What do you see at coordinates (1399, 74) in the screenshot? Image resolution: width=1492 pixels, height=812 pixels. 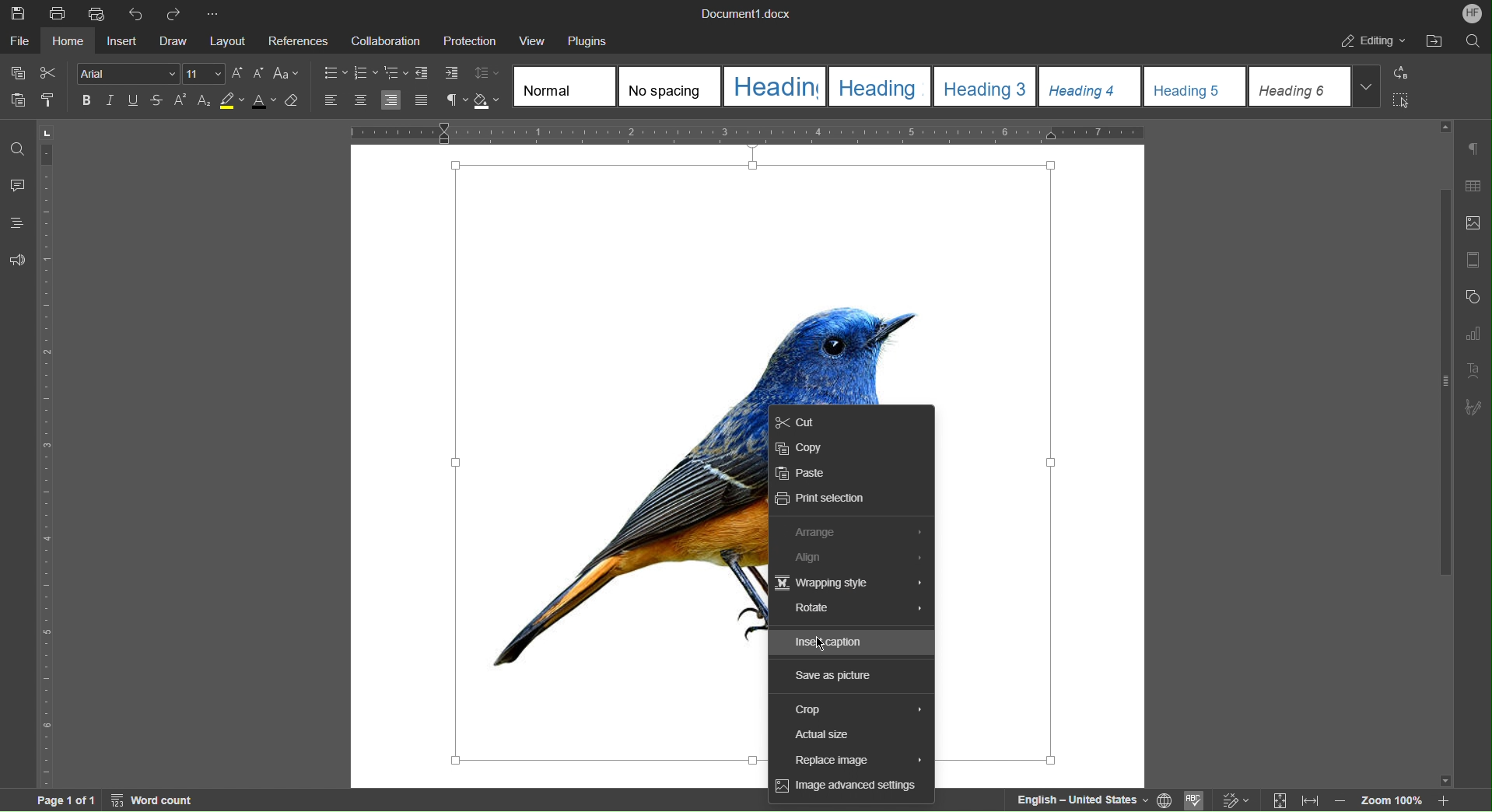 I see `Replace` at bounding box center [1399, 74].